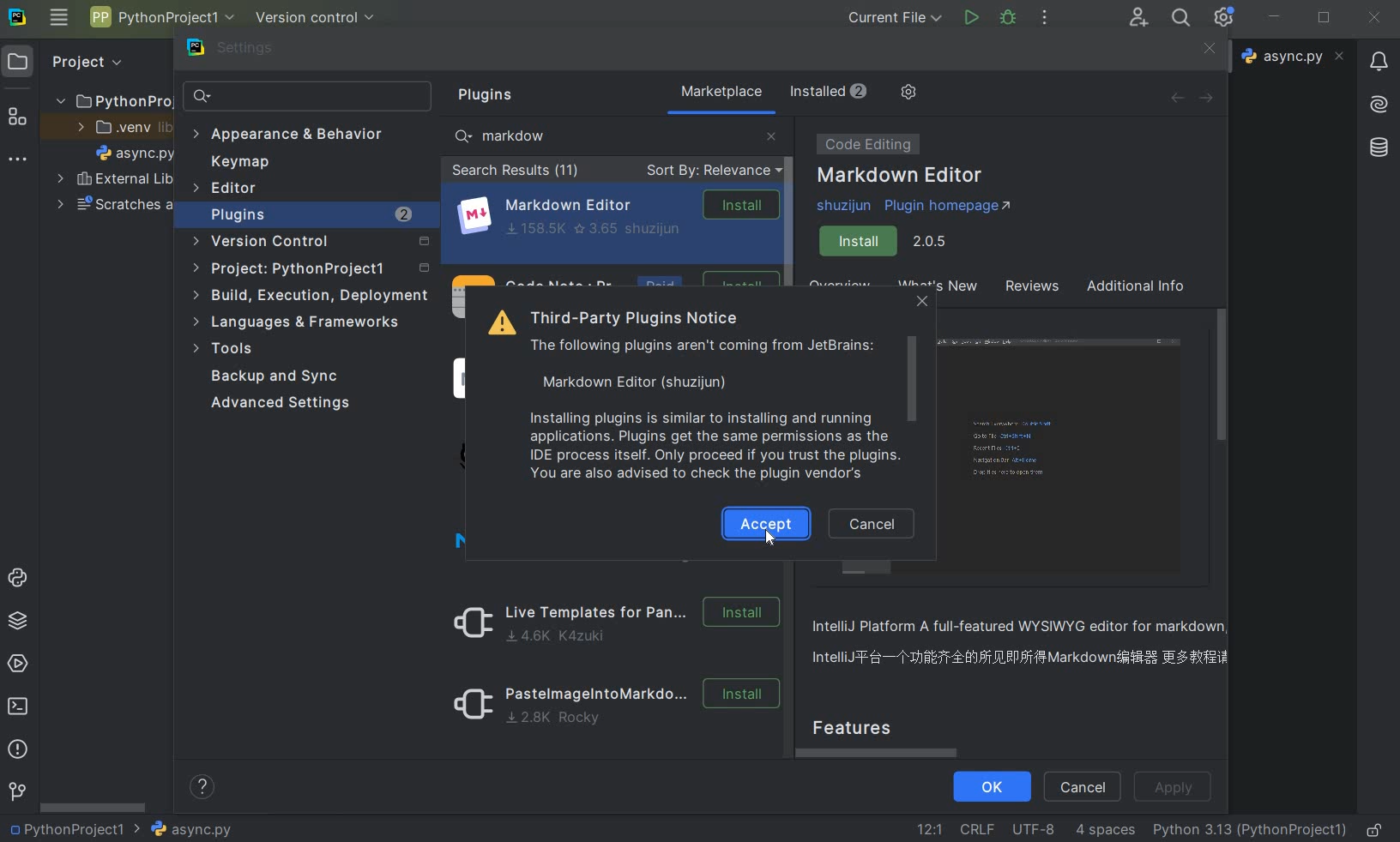 This screenshot has width=1400, height=842. I want to click on settings, so click(246, 51).